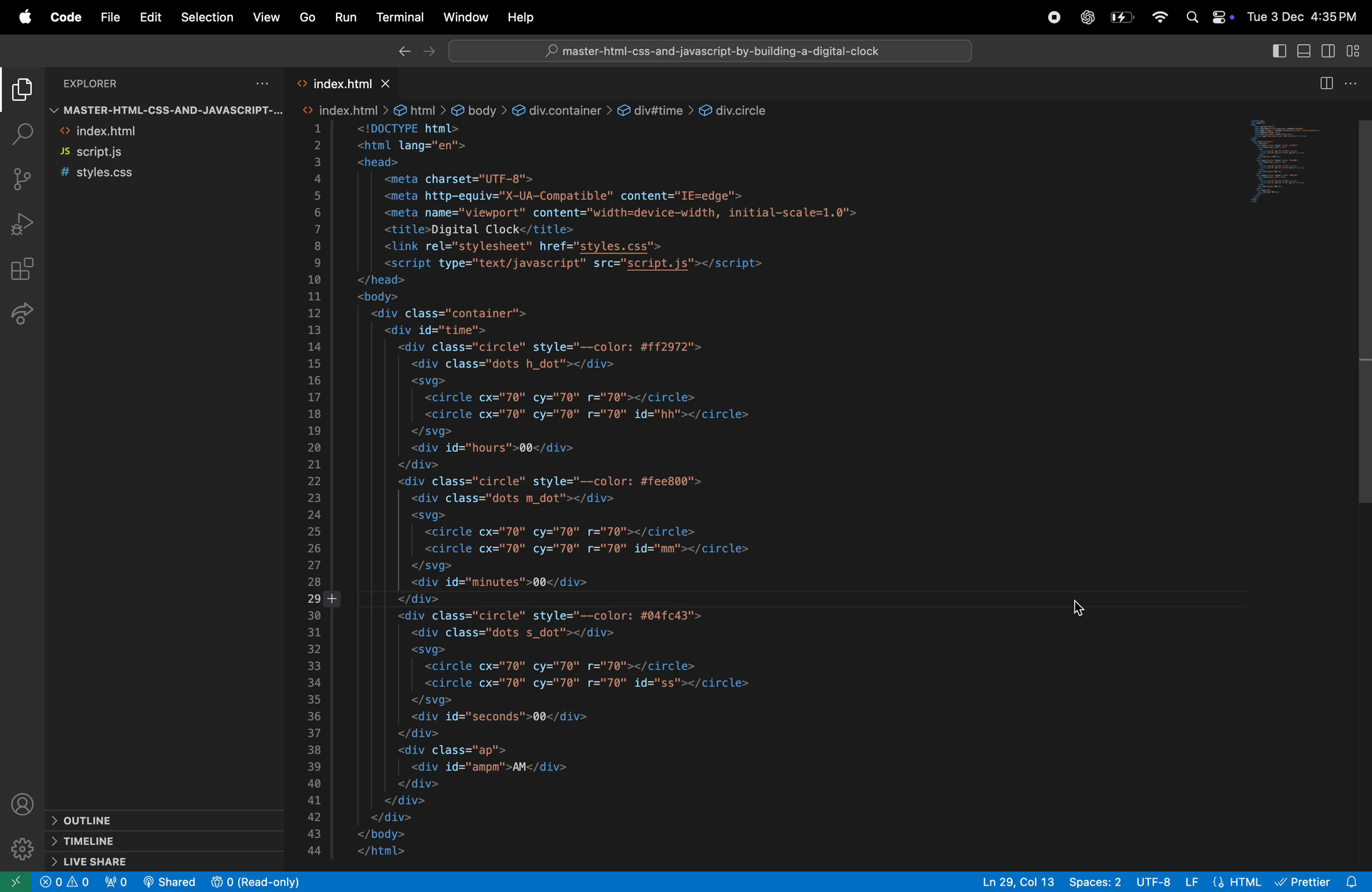  Describe the element at coordinates (26, 177) in the screenshot. I see `source control` at that location.